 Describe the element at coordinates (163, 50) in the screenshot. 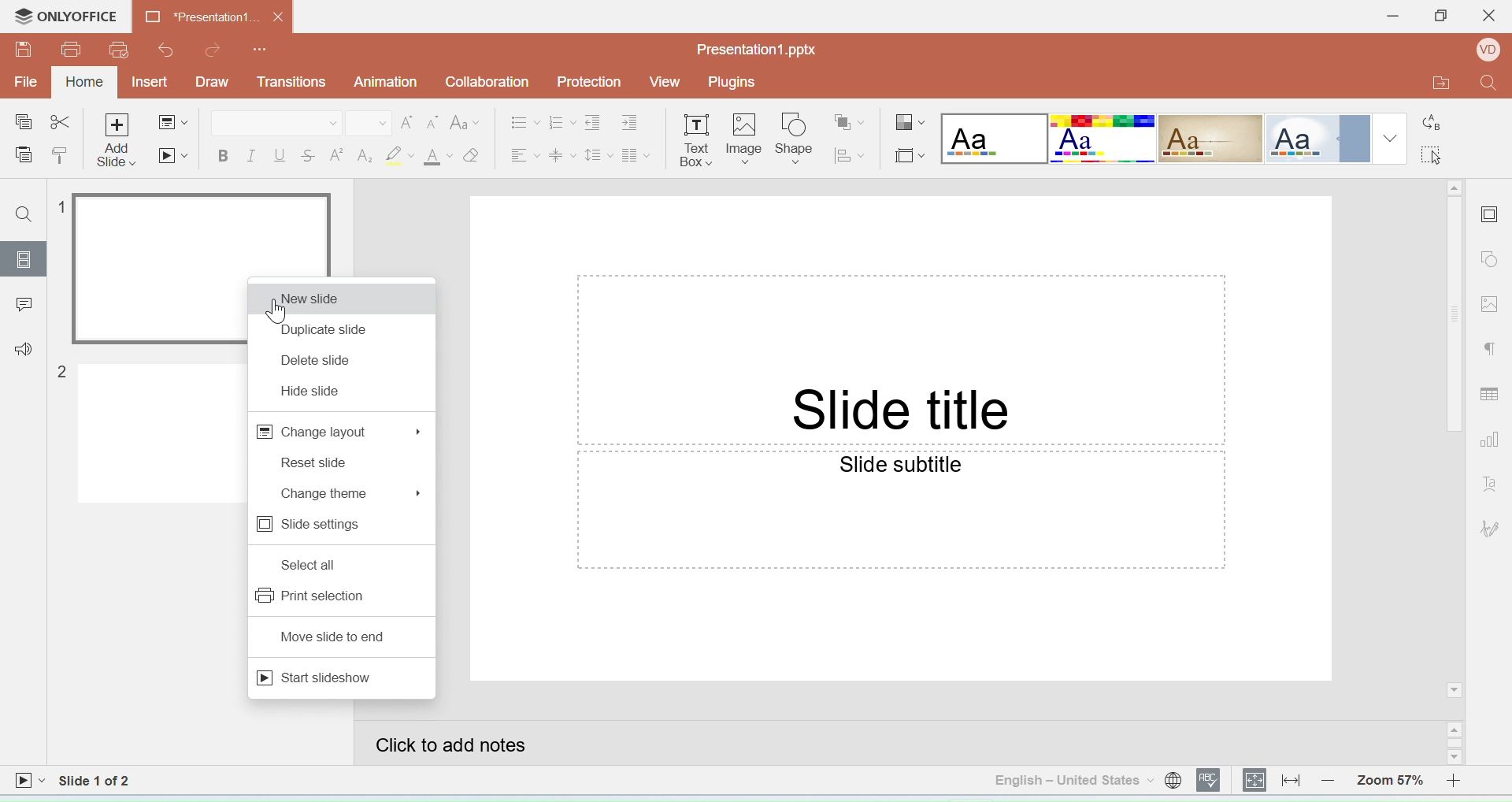

I see `Undo` at that location.